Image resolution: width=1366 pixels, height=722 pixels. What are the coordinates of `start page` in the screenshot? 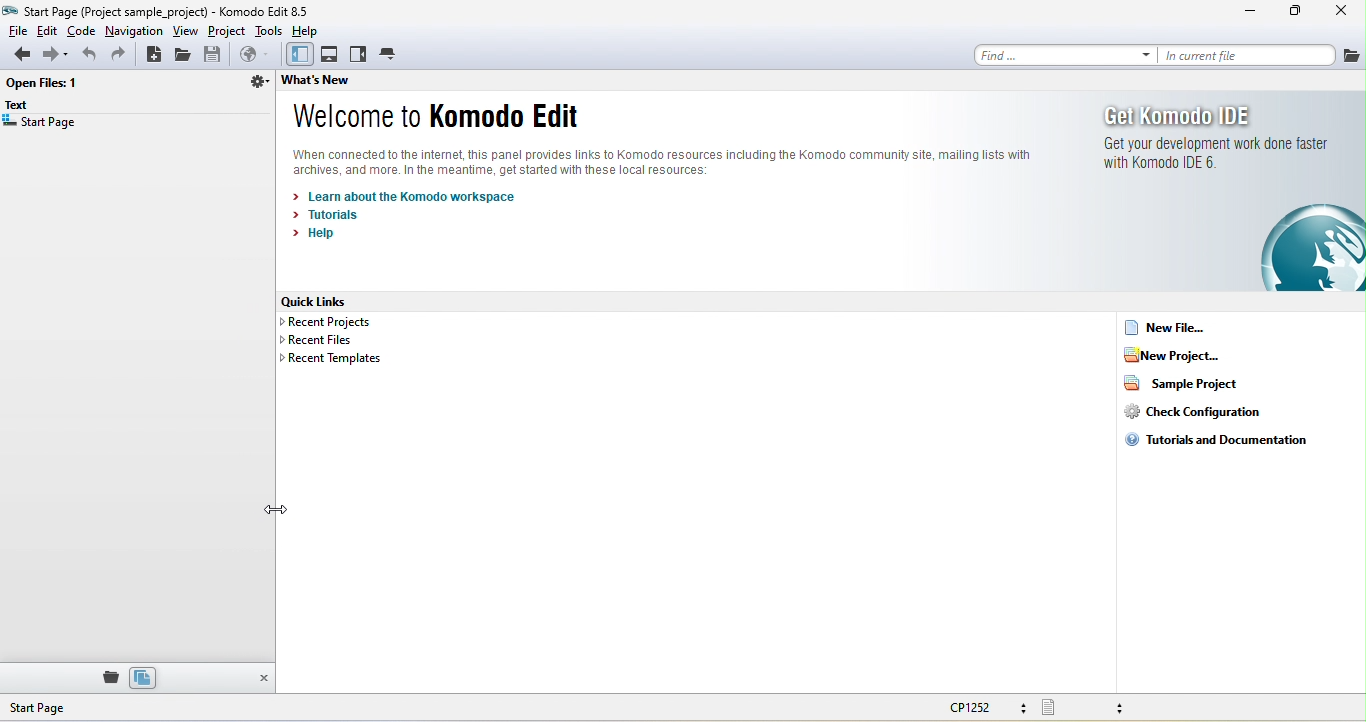 It's located at (74, 708).